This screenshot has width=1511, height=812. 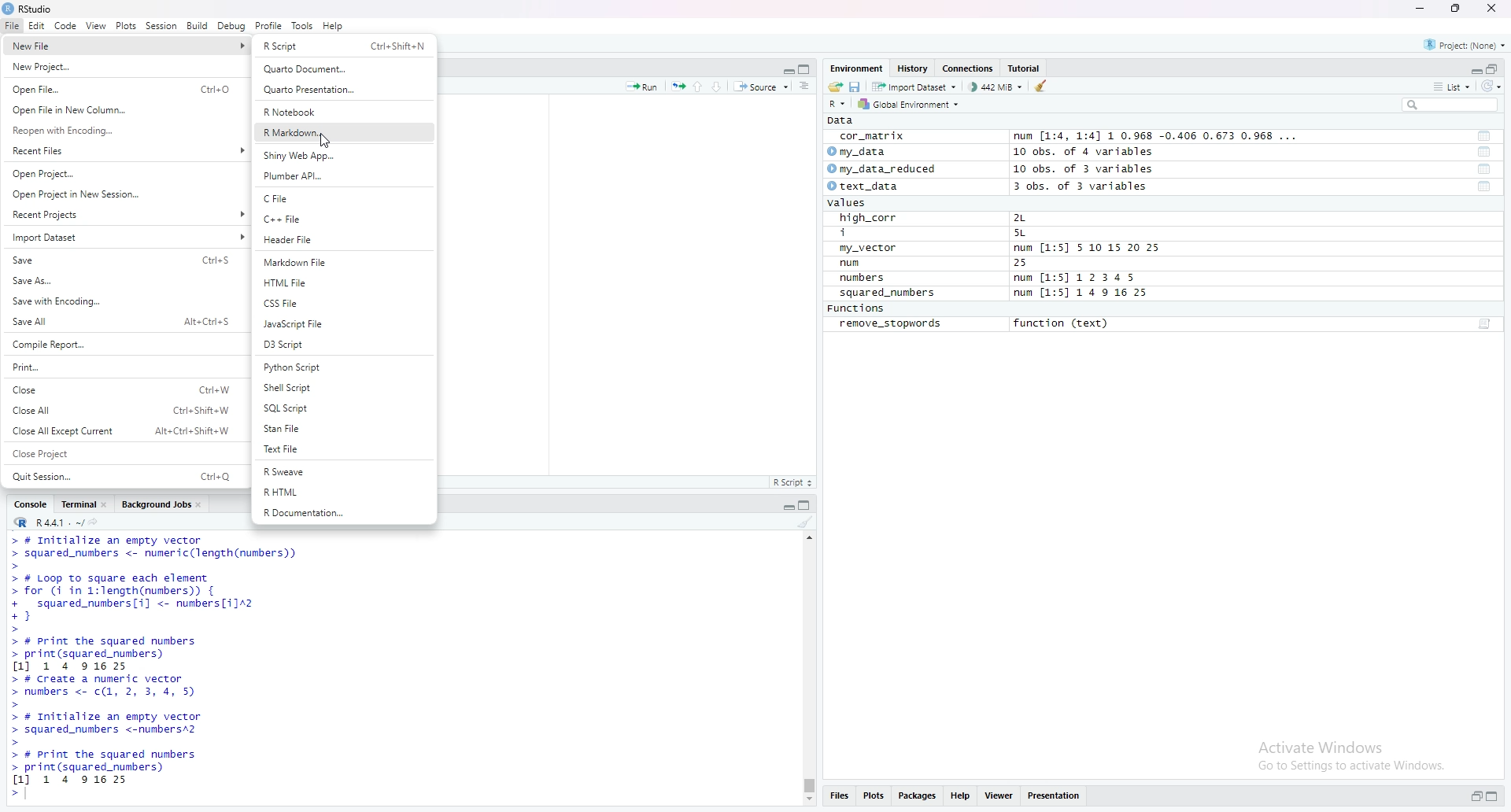 I want to click on Build, so click(x=198, y=28).